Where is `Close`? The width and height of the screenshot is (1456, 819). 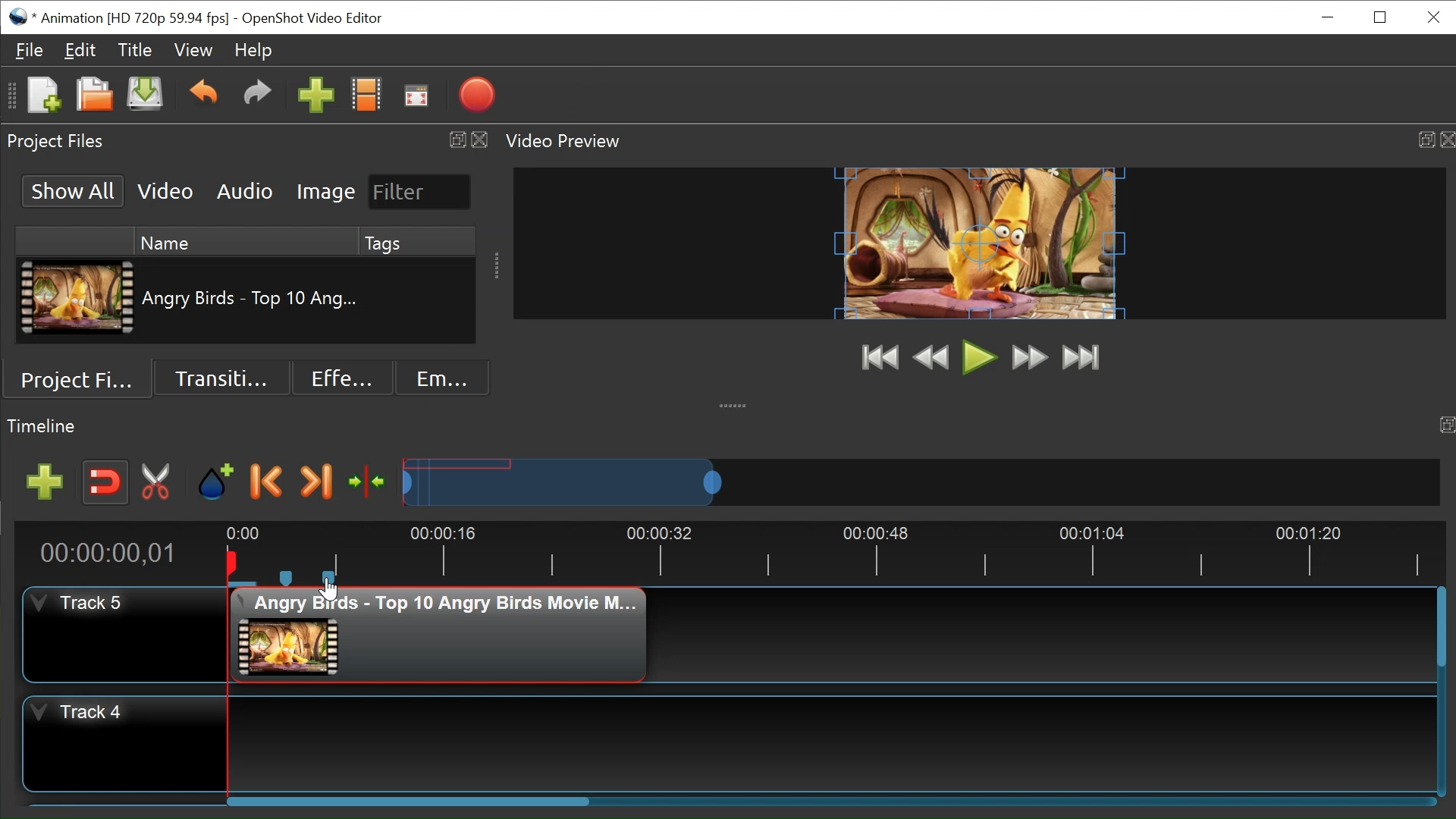
Close is located at coordinates (1434, 17).